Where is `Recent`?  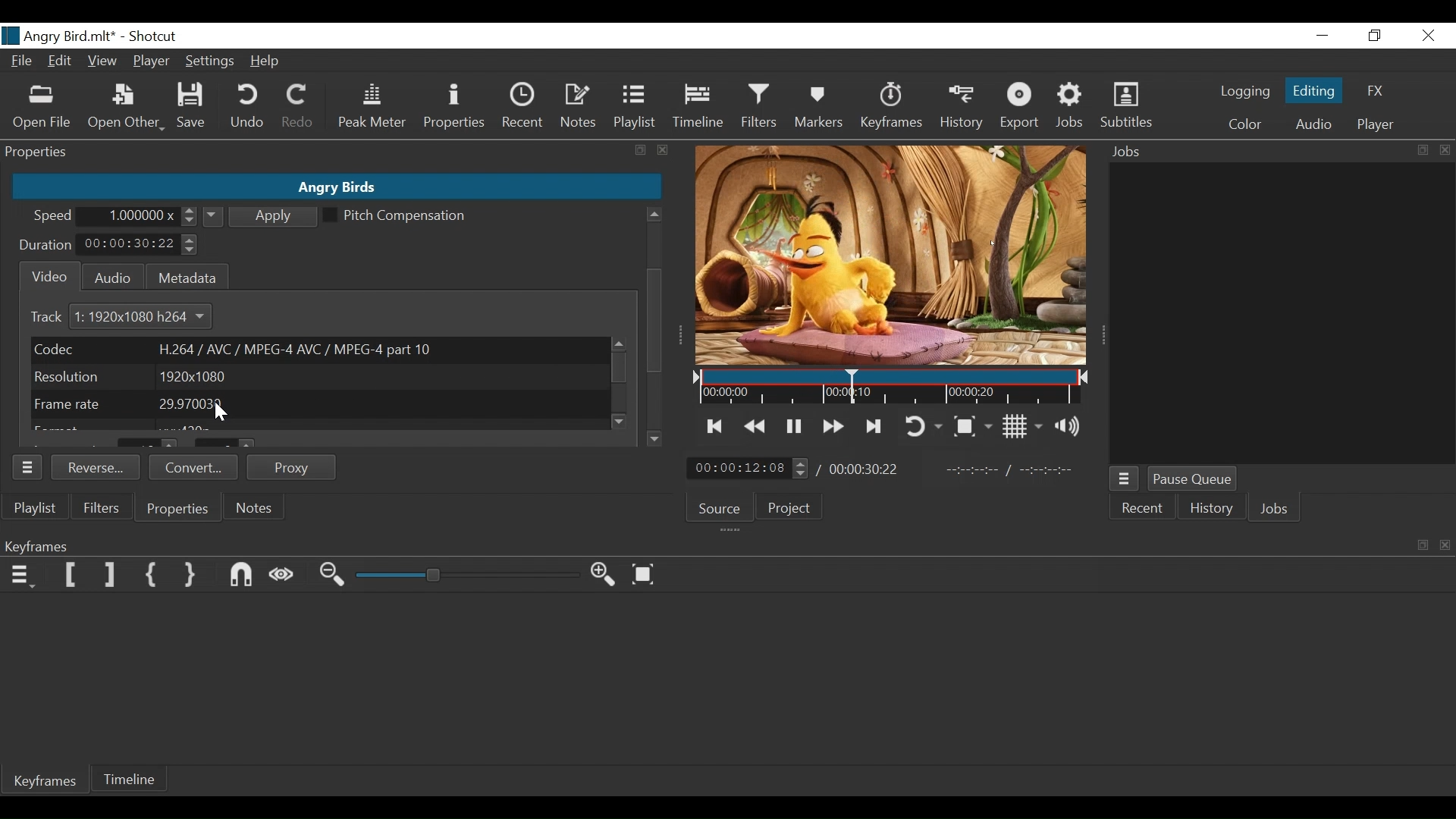
Recent is located at coordinates (1144, 510).